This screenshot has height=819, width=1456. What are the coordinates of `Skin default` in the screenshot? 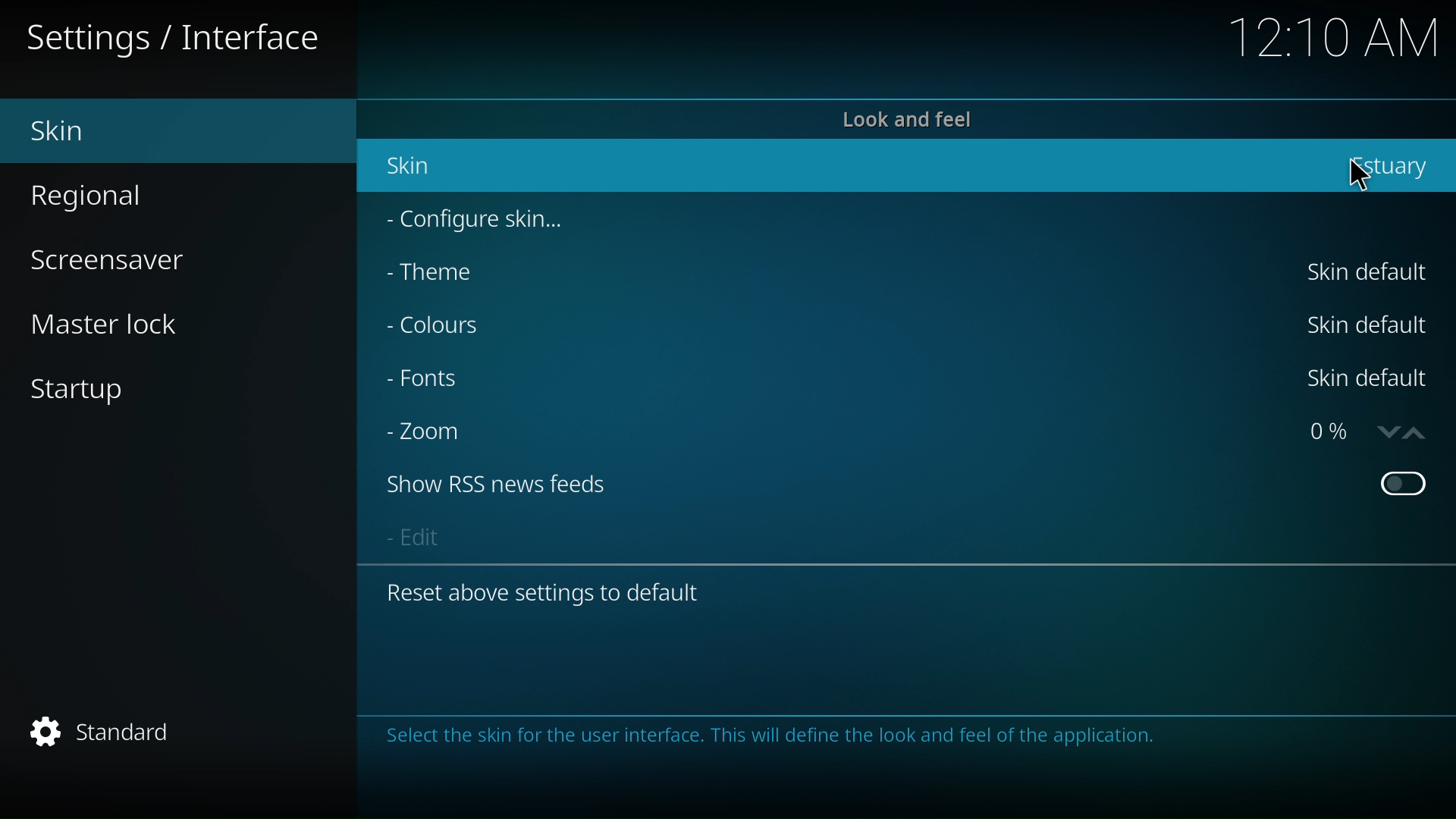 It's located at (1367, 273).